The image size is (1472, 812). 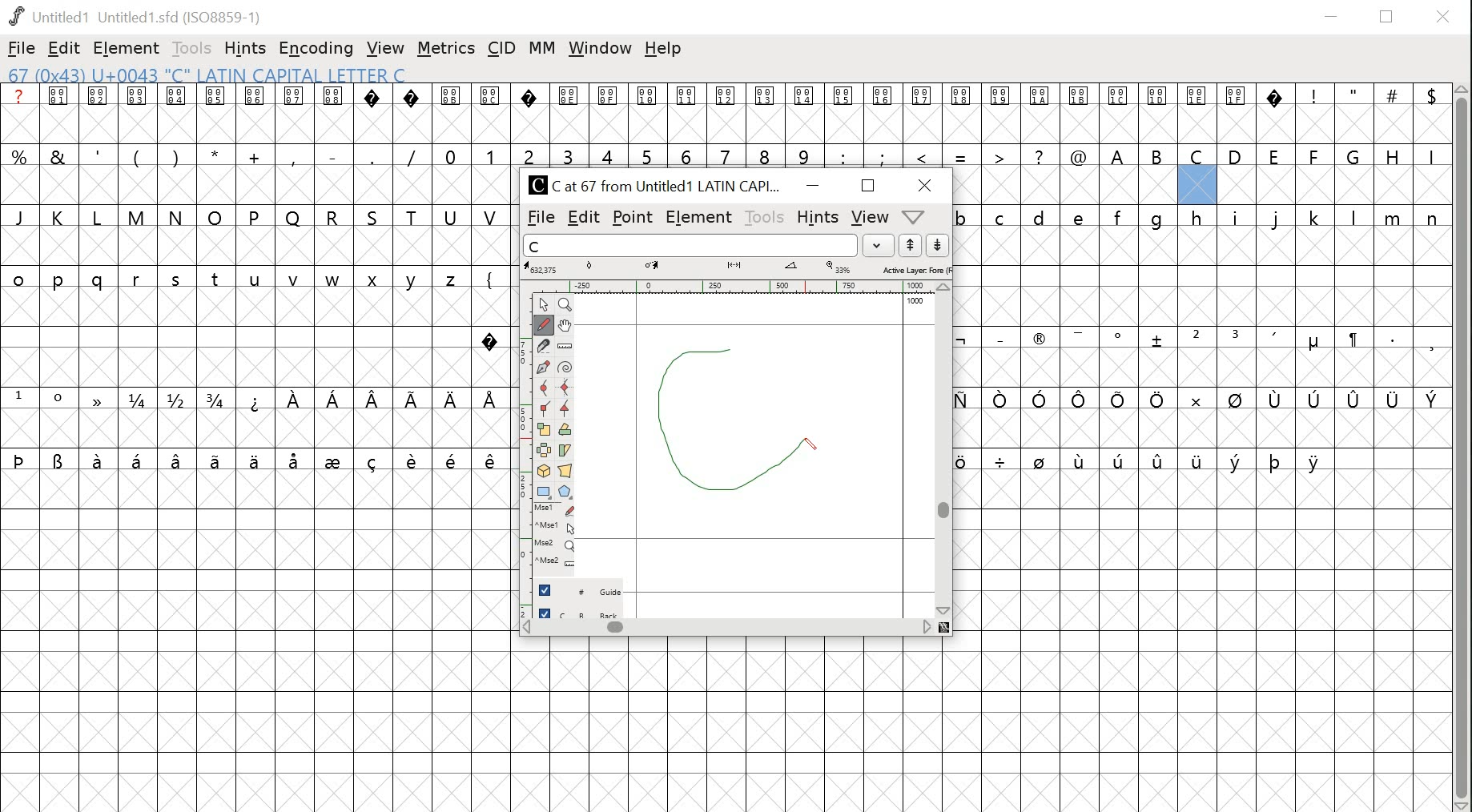 What do you see at coordinates (659, 184) in the screenshot?
I see `C Cat 67 from Untitled1 LATIN CAPI...` at bounding box center [659, 184].